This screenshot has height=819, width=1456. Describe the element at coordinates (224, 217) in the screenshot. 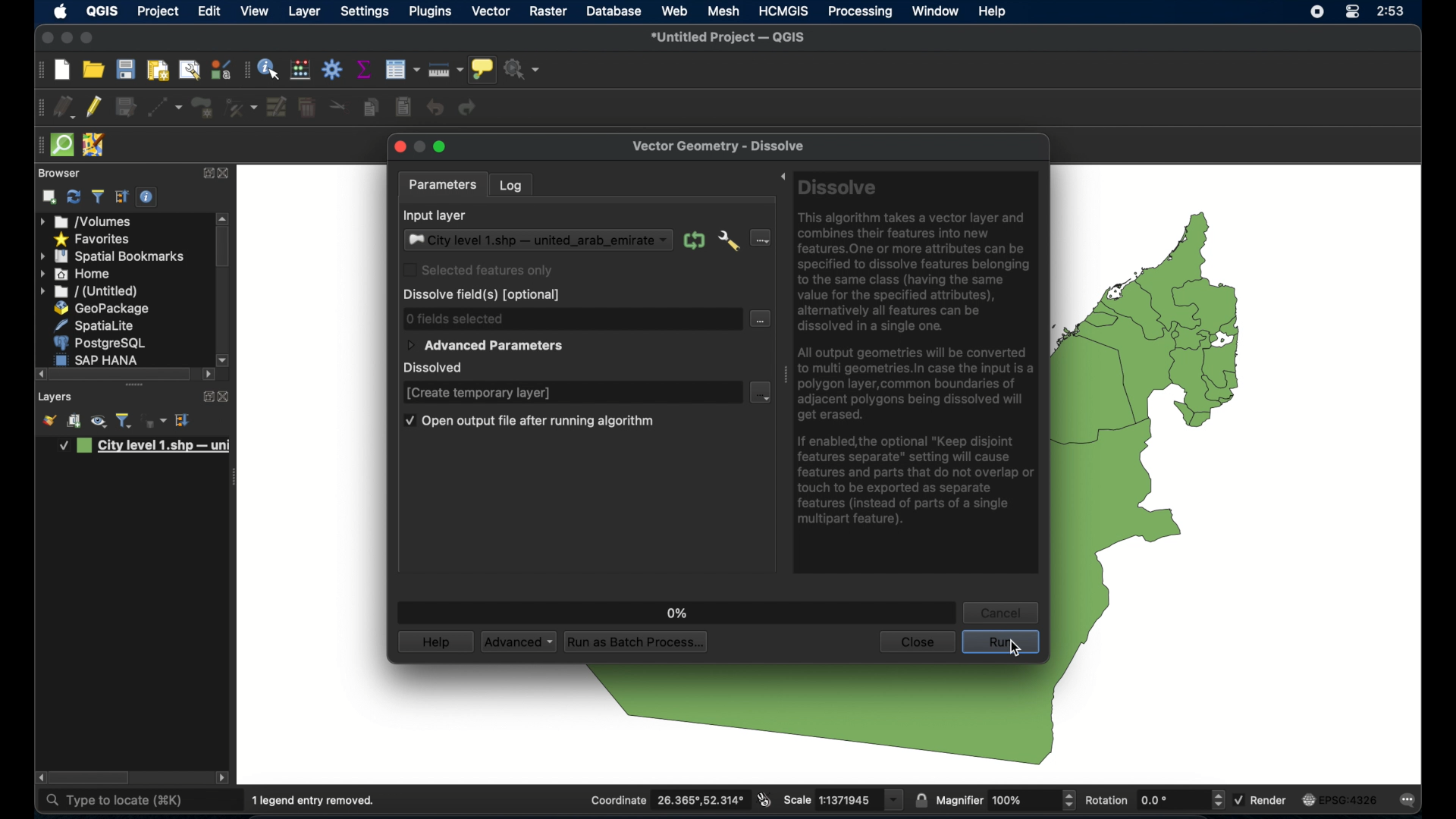

I see `scroll up arrow` at that location.